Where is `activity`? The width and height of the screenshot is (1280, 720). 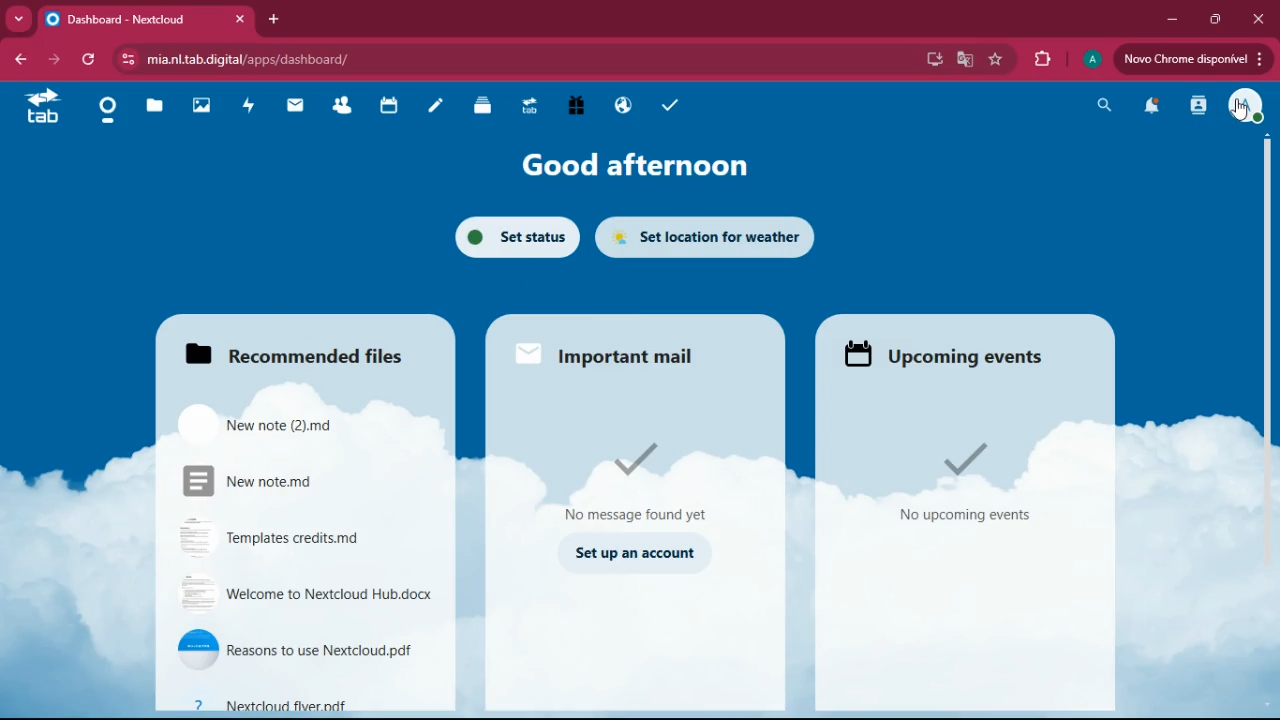
activity is located at coordinates (1195, 106).